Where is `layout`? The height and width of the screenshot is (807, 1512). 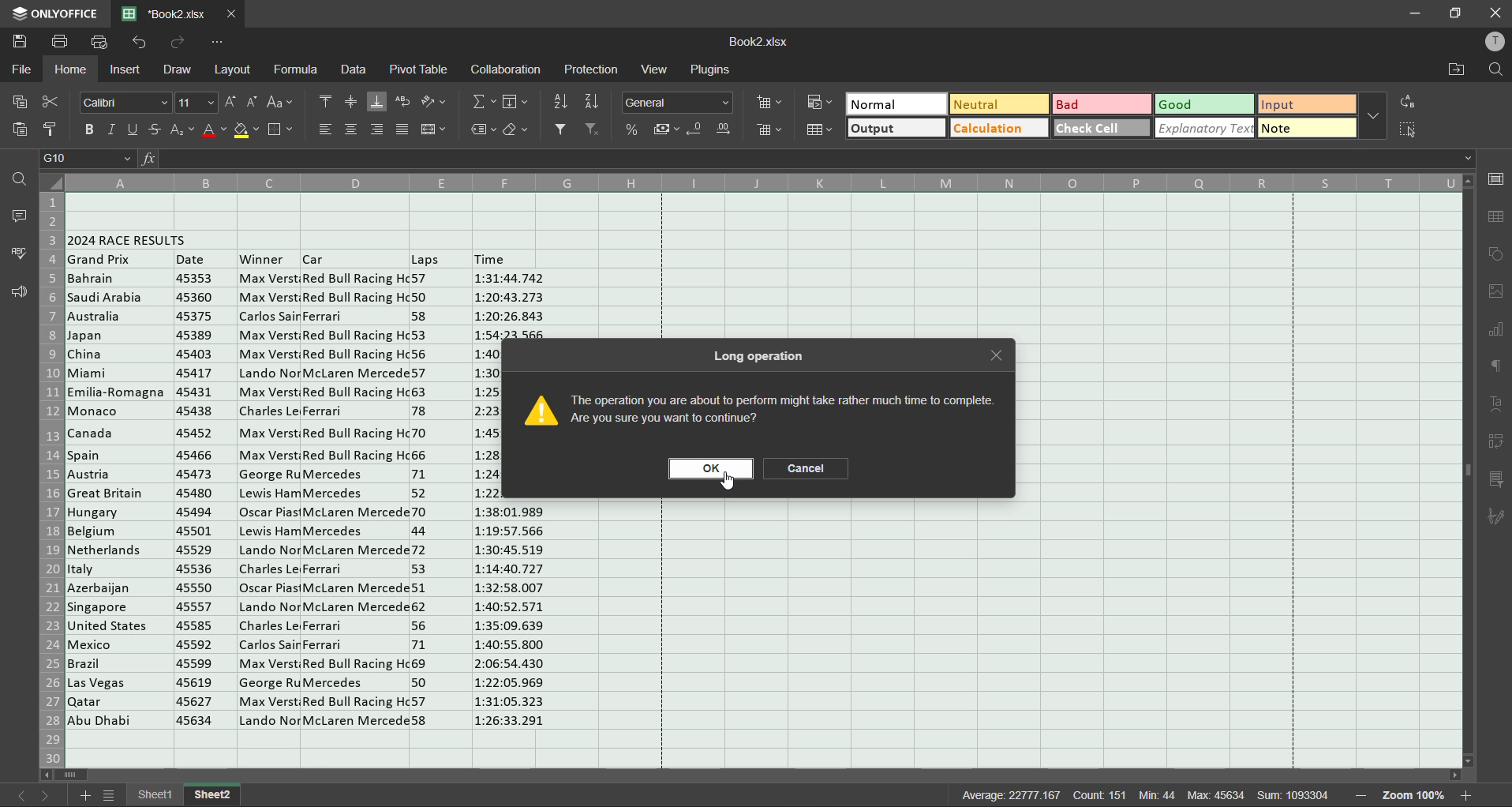
layout is located at coordinates (234, 71).